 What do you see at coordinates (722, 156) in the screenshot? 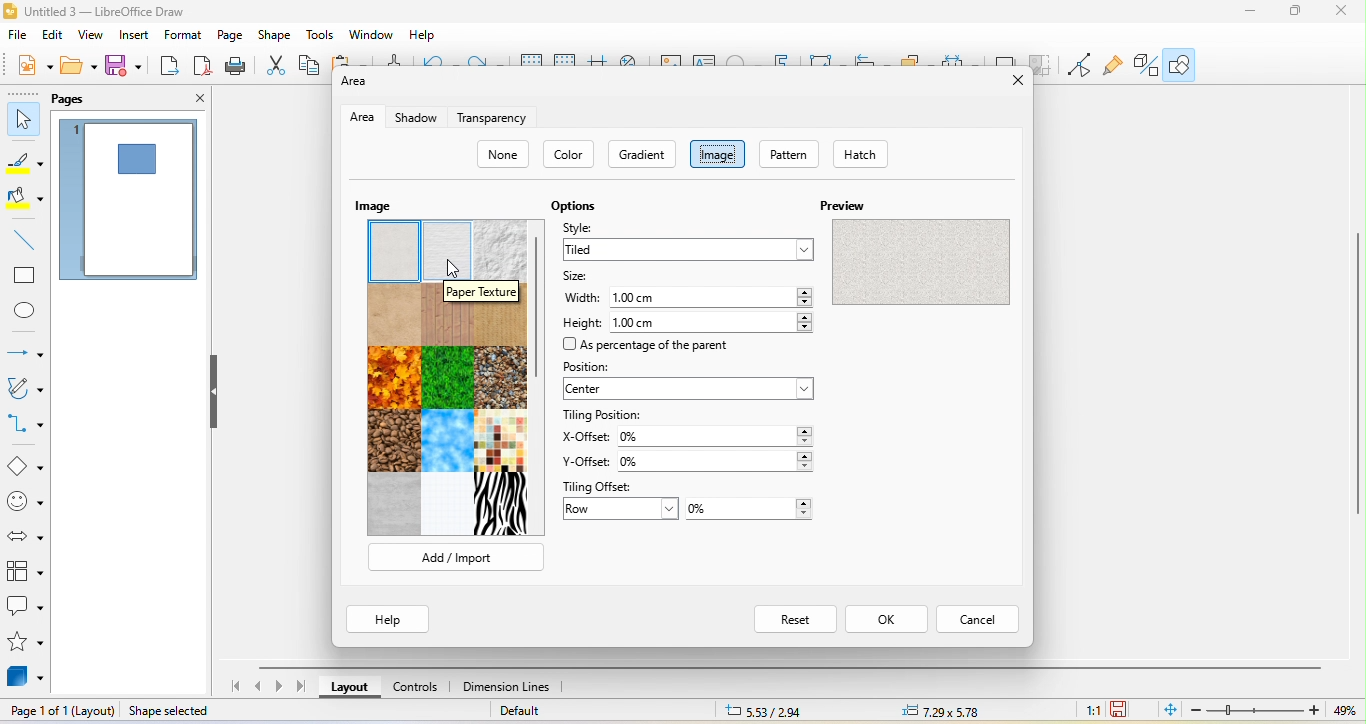
I see `image` at bounding box center [722, 156].